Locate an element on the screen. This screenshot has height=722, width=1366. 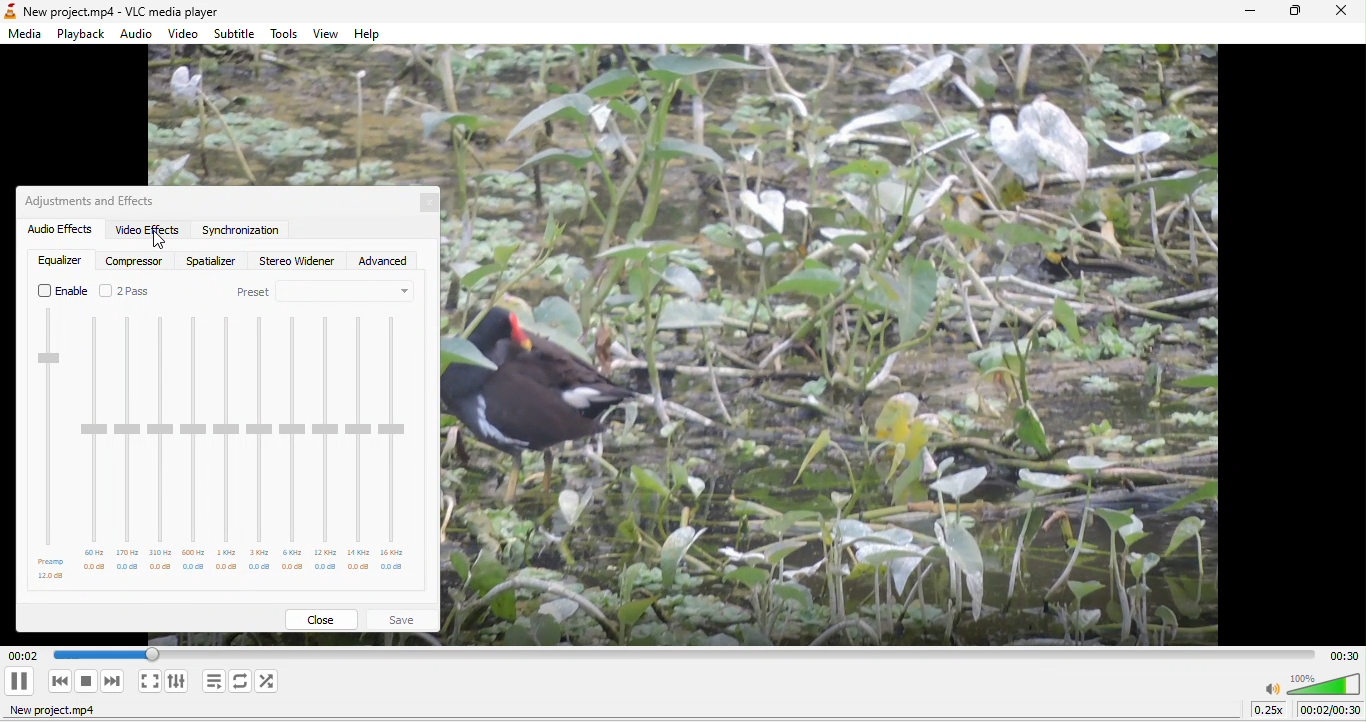
enable is located at coordinates (228, 447).